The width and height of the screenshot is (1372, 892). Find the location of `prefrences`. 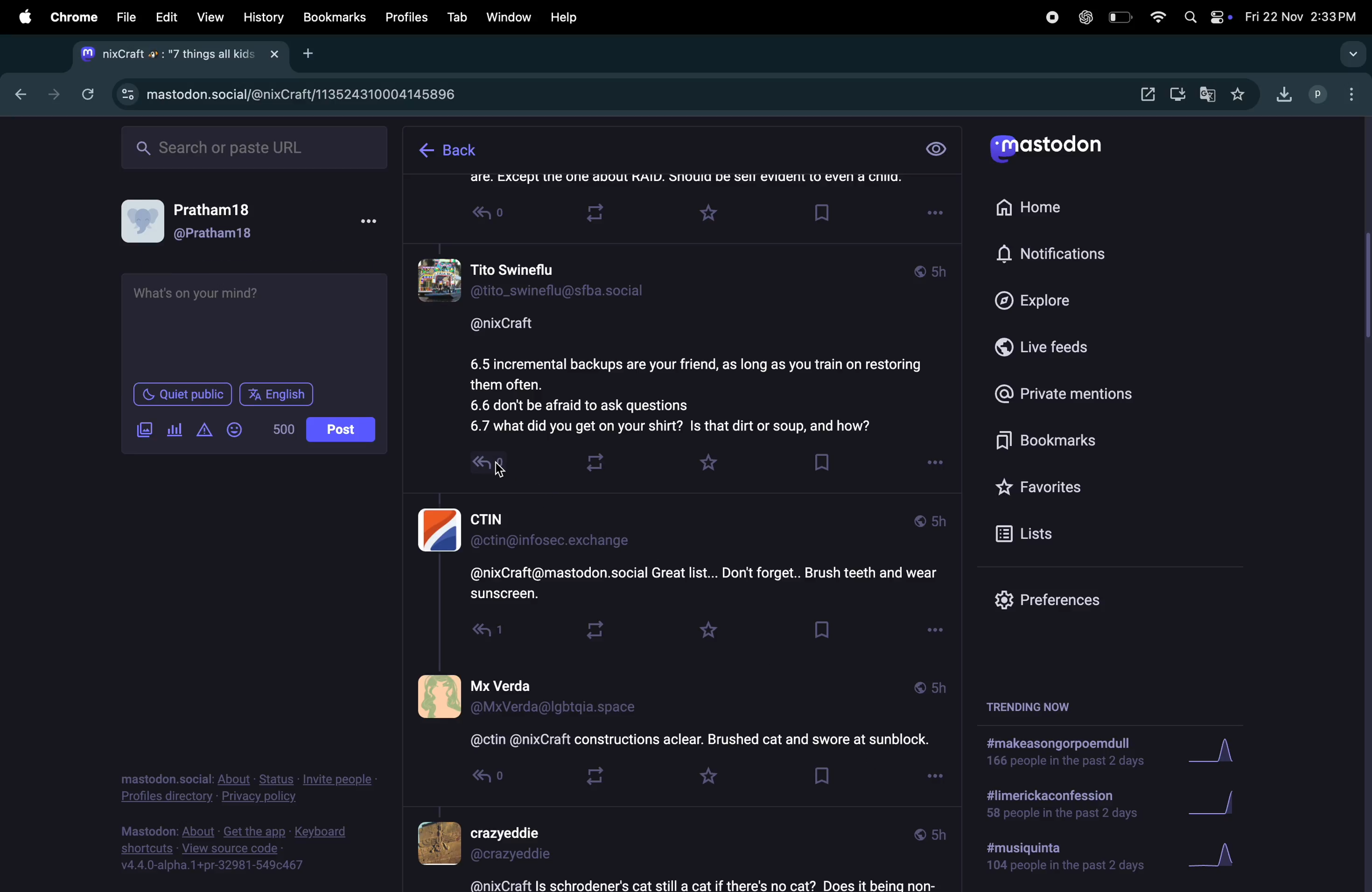

prefrences is located at coordinates (1056, 600).